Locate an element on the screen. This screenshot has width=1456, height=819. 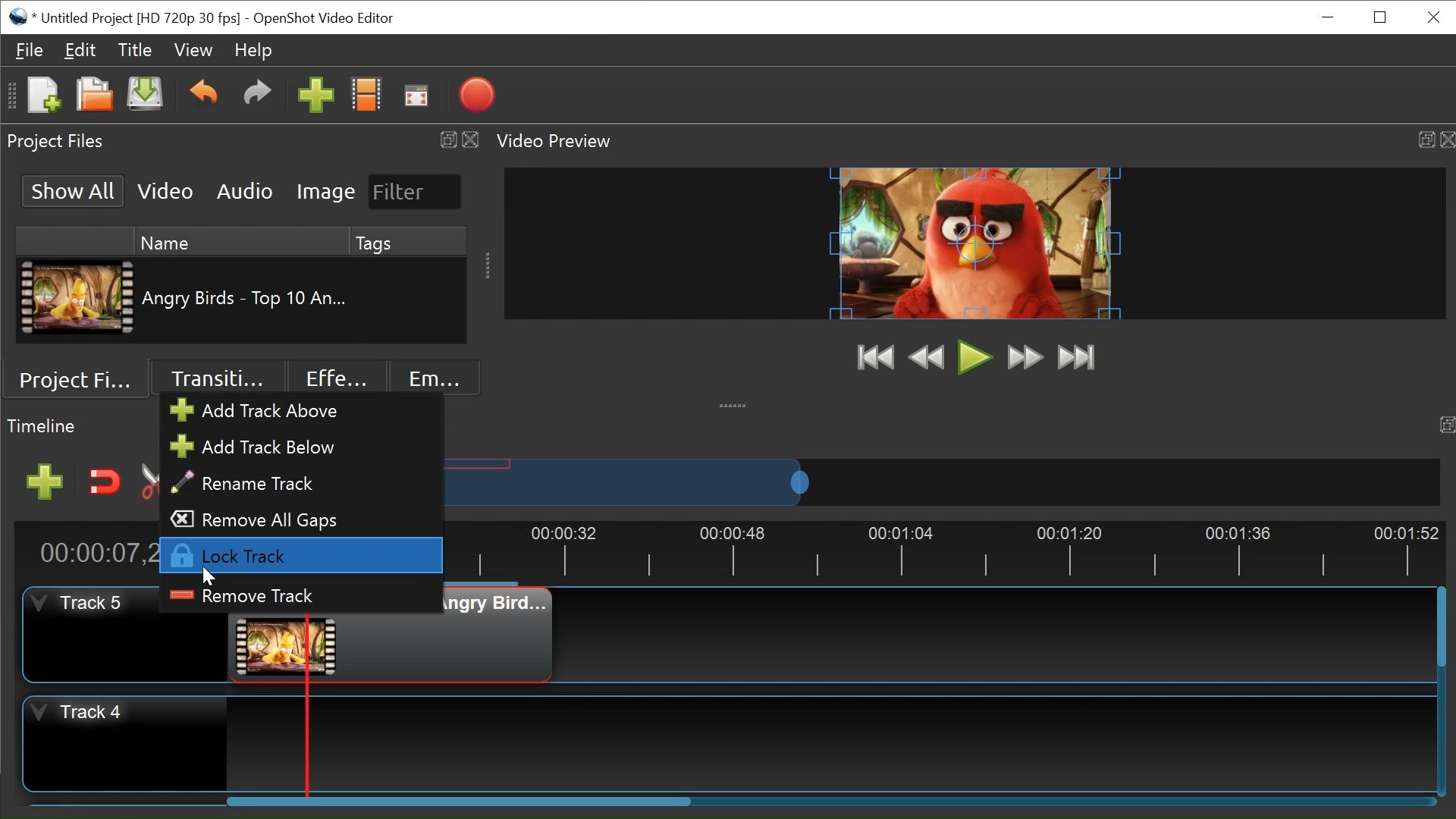
Filter is located at coordinates (410, 191).